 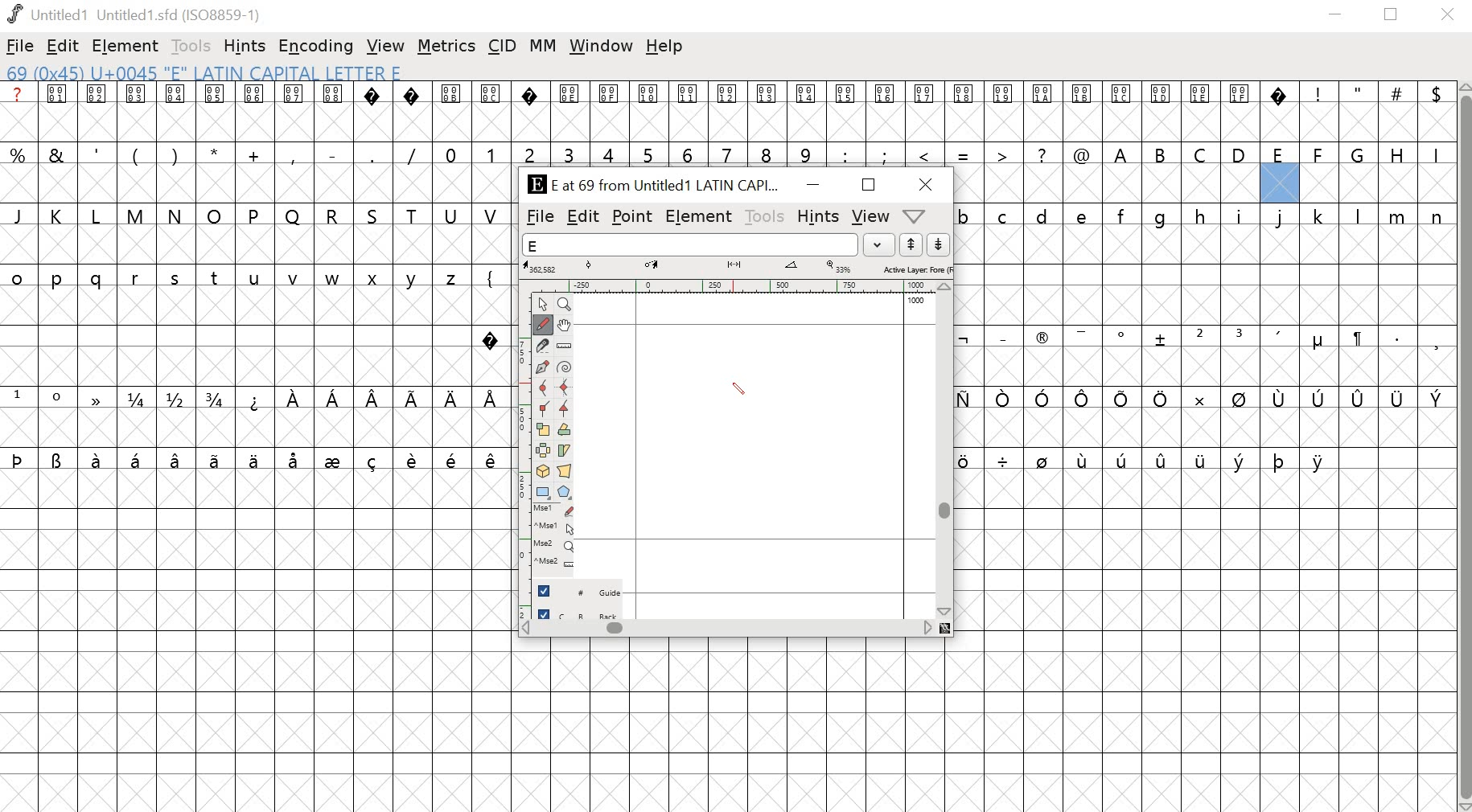 What do you see at coordinates (386, 46) in the screenshot?
I see `view` at bounding box center [386, 46].